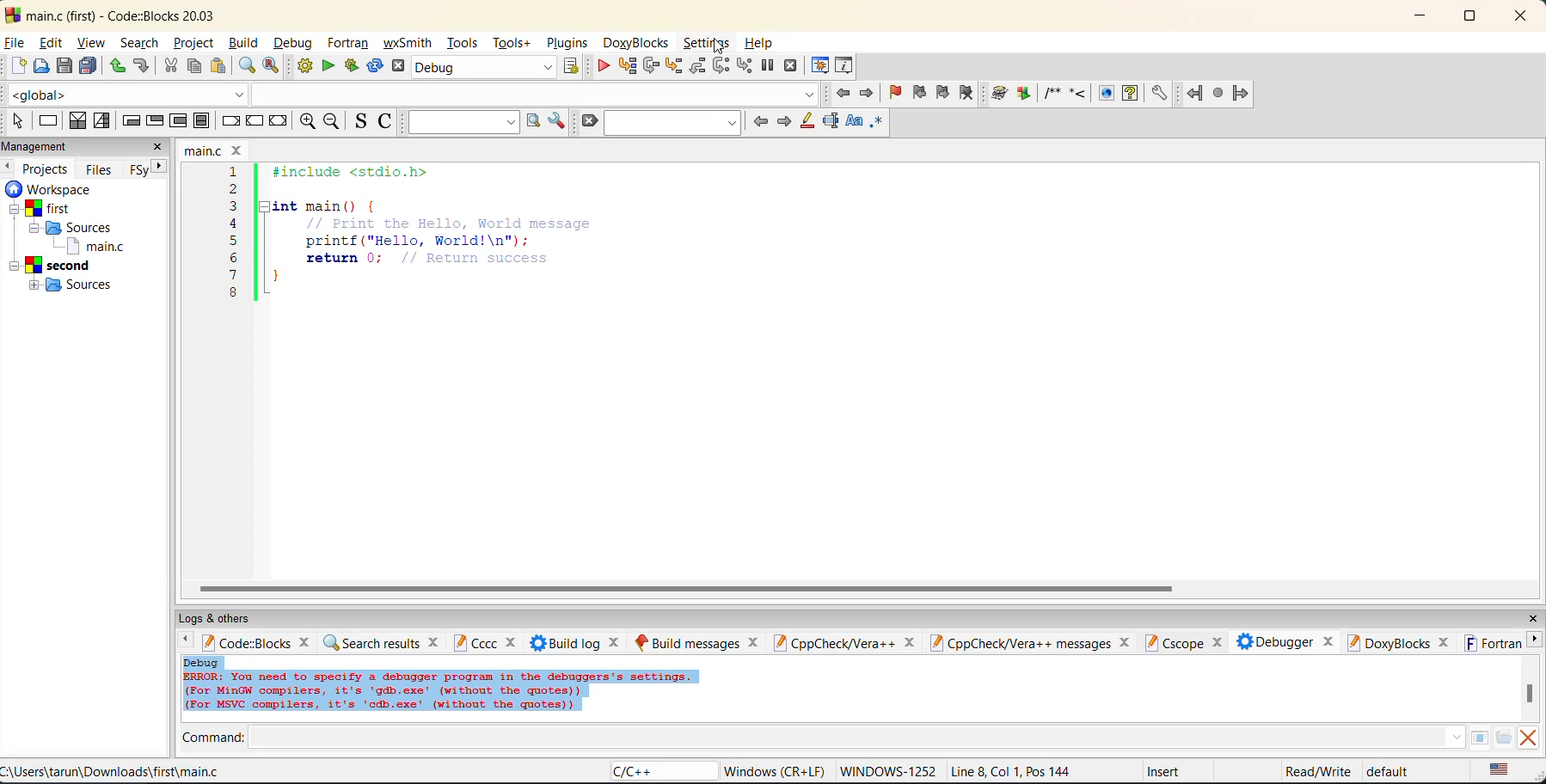 The image size is (1546, 784). What do you see at coordinates (117, 67) in the screenshot?
I see `undo` at bounding box center [117, 67].